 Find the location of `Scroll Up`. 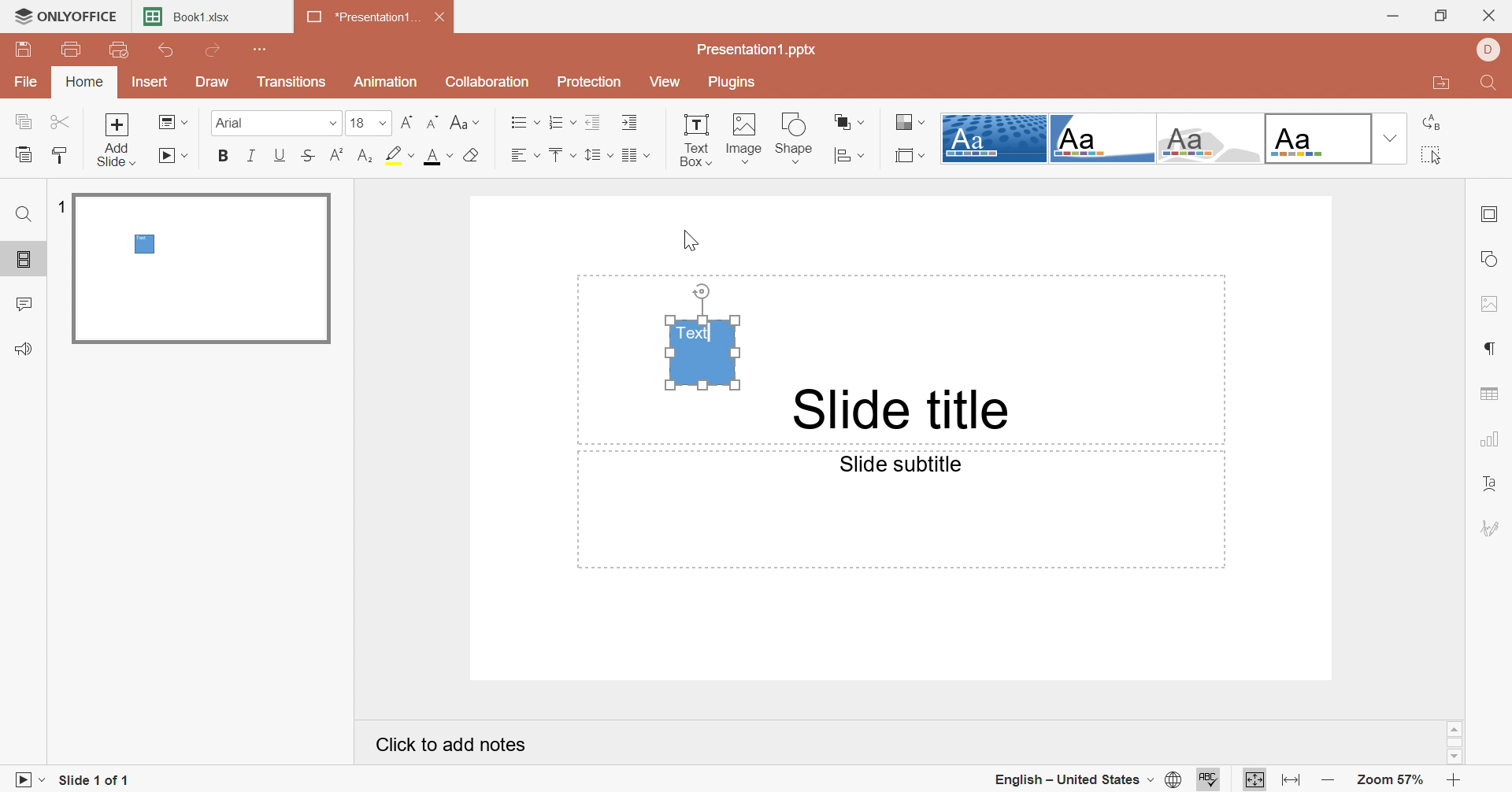

Scroll Up is located at coordinates (1455, 728).